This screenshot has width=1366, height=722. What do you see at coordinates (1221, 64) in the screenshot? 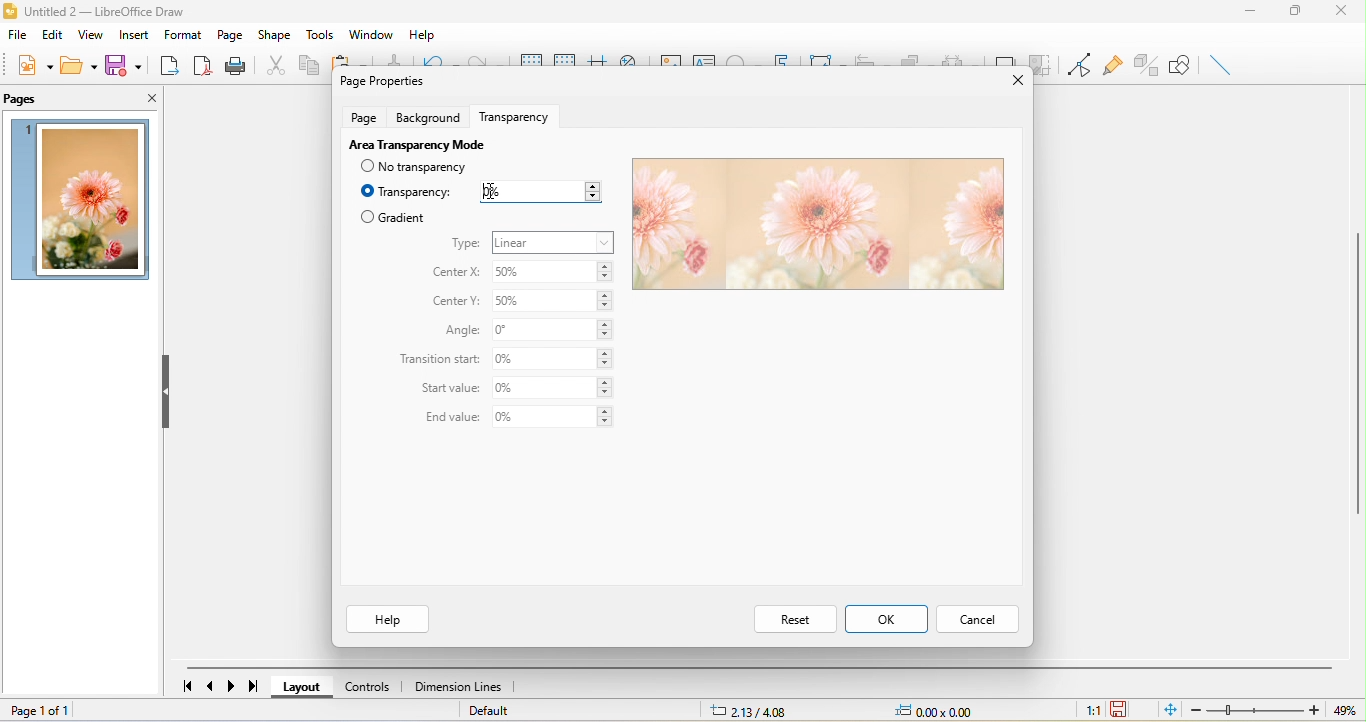
I see `insert line` at bounding box center [1221, 64].